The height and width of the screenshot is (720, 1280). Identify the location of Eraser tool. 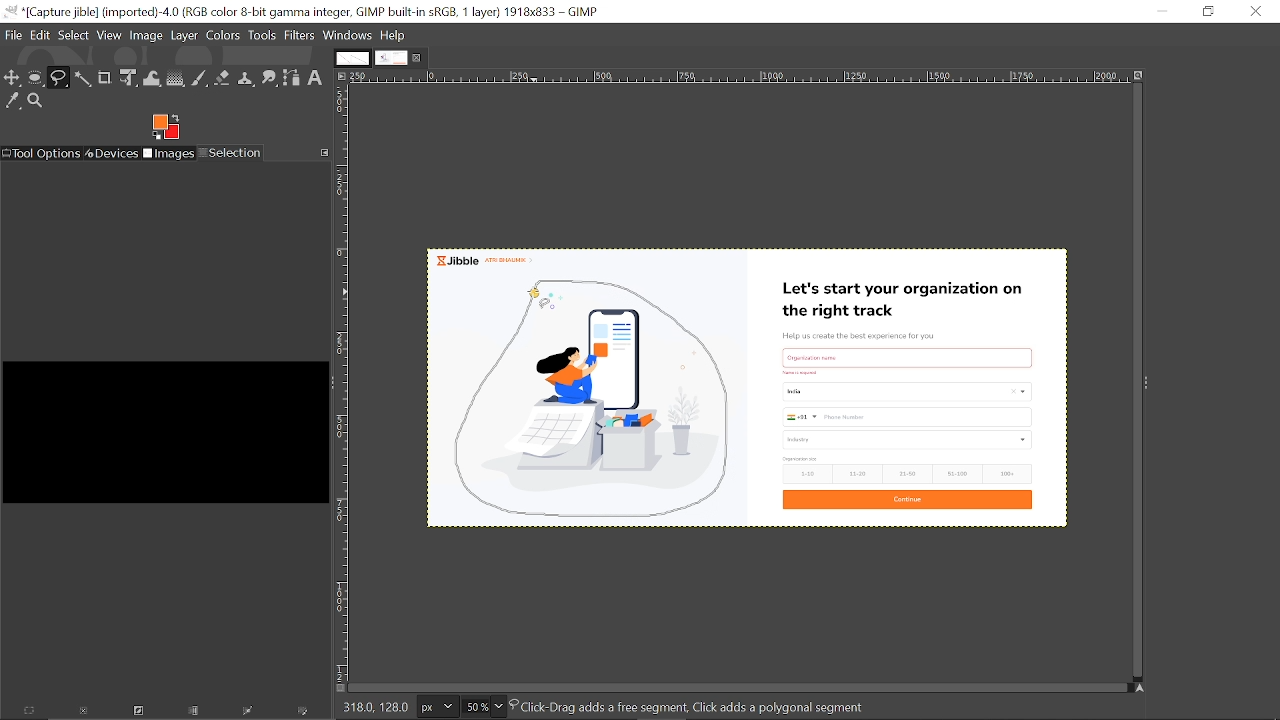
(223, 78).